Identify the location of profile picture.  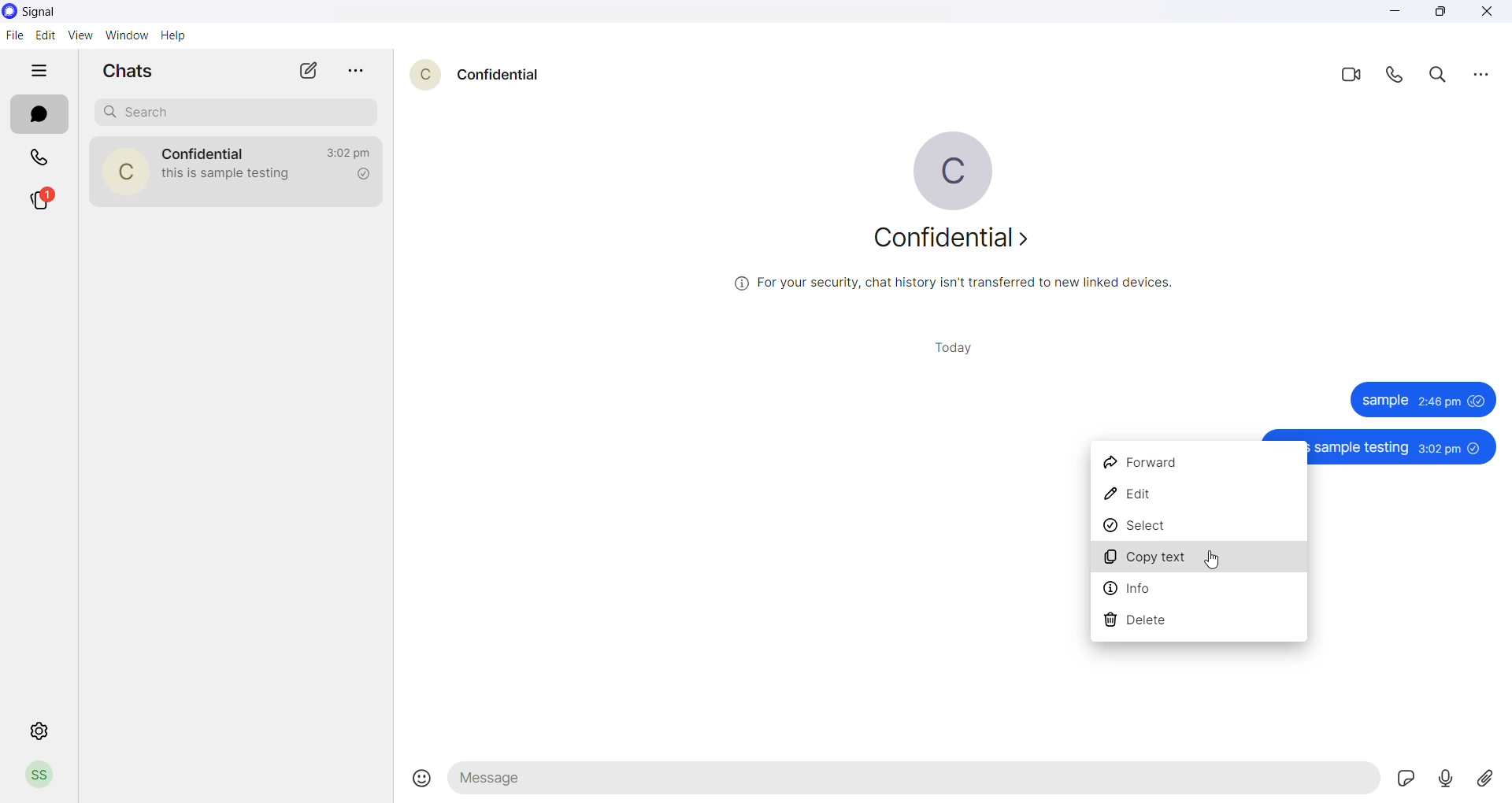
(421, 75).